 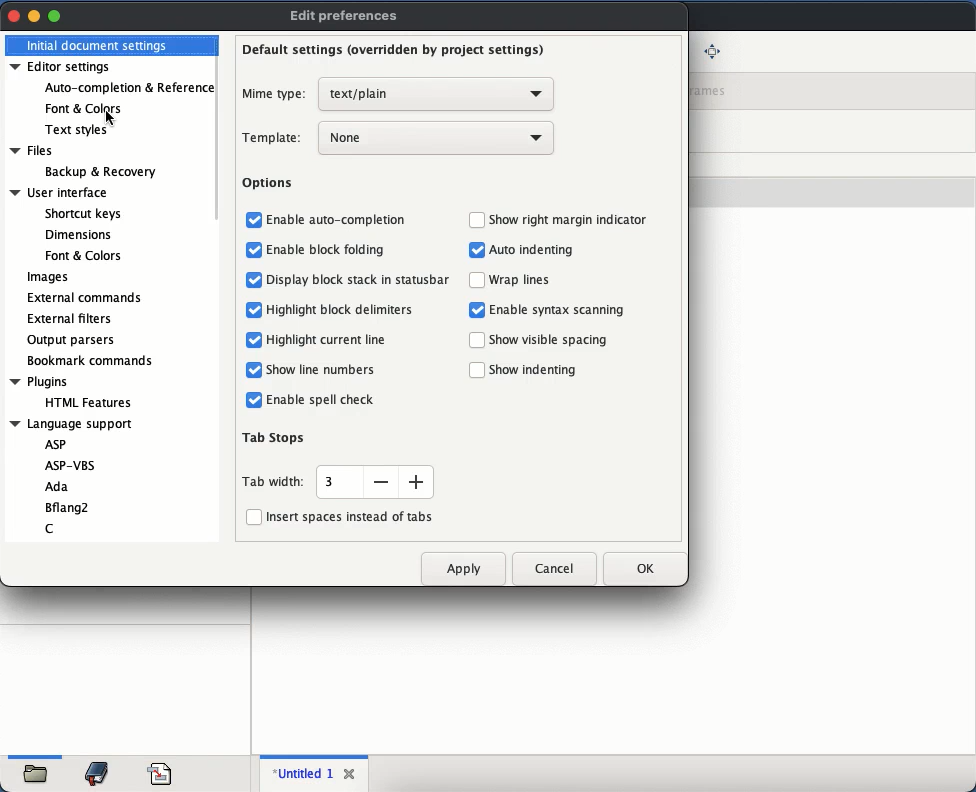 I want to click on edit preferences, so click(x=348, y=16).